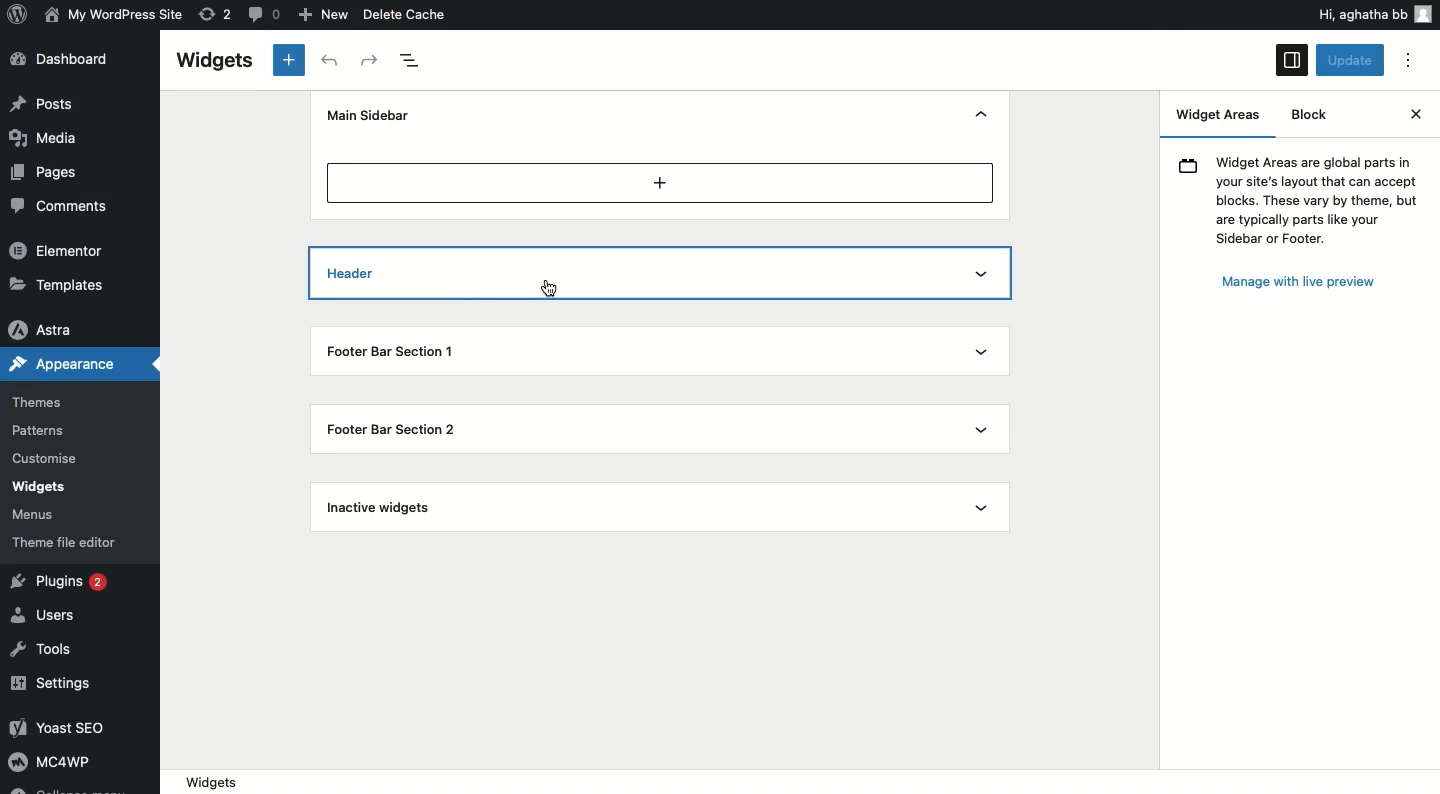 Image resolution: width=1440 pixels, height=794 pixels. What do you see at coordinates (371, 61) in the screenshot?
I see `Redo` at bounding box center [371, 61].